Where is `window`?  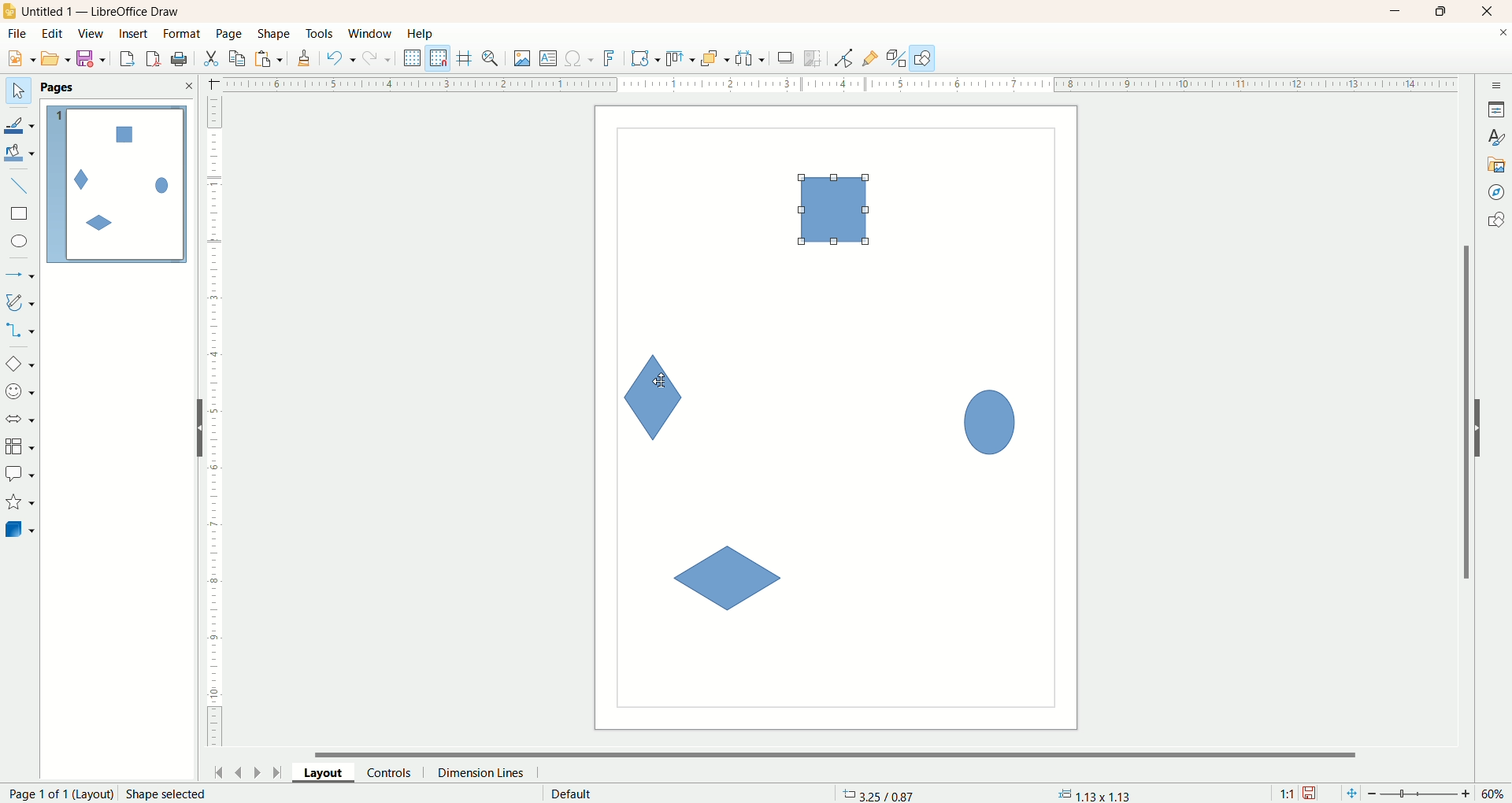
window is located at coordinates (374, 35).